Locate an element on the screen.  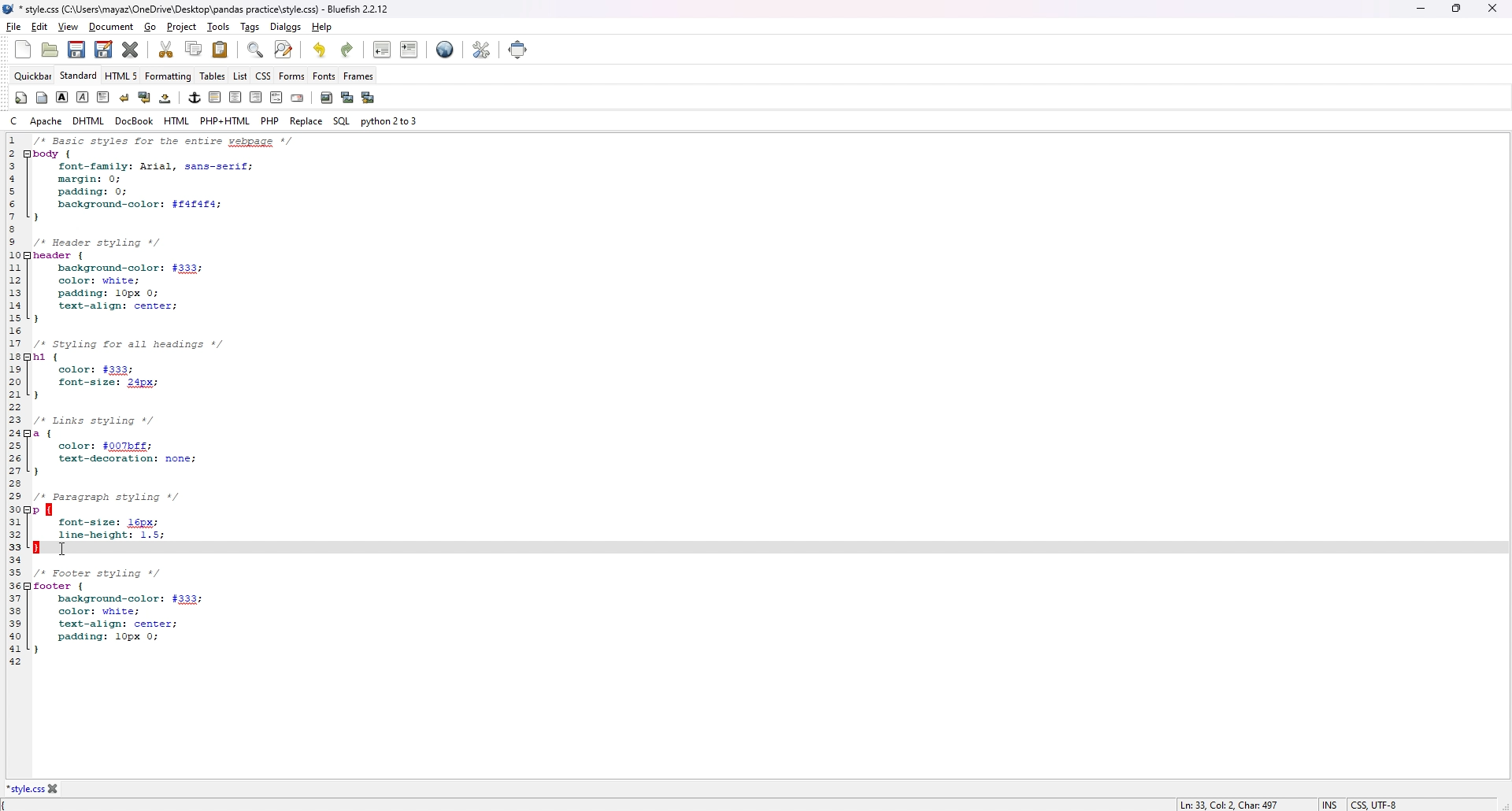
document is located at coordinates (112, 27).